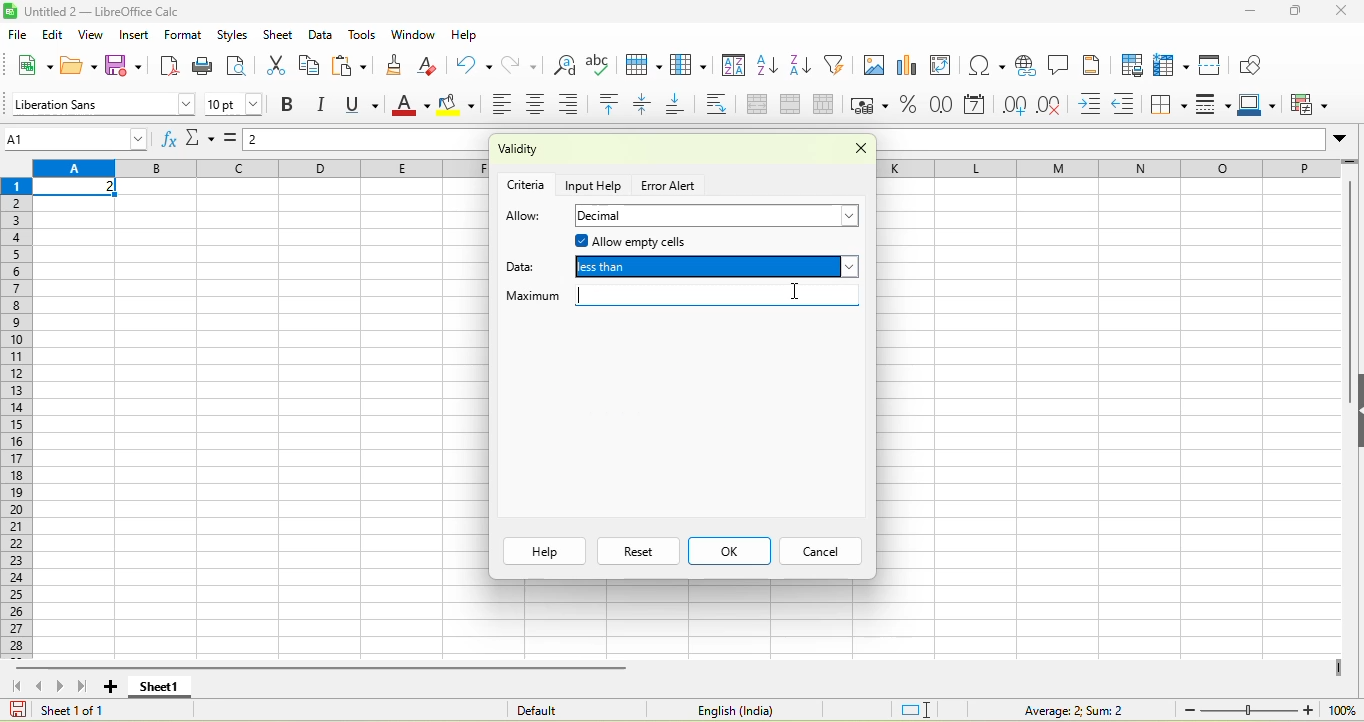  What do you see at coordinates (976, 106) in the screenshot?
I see `format as date` at bounding box center [976, 106].